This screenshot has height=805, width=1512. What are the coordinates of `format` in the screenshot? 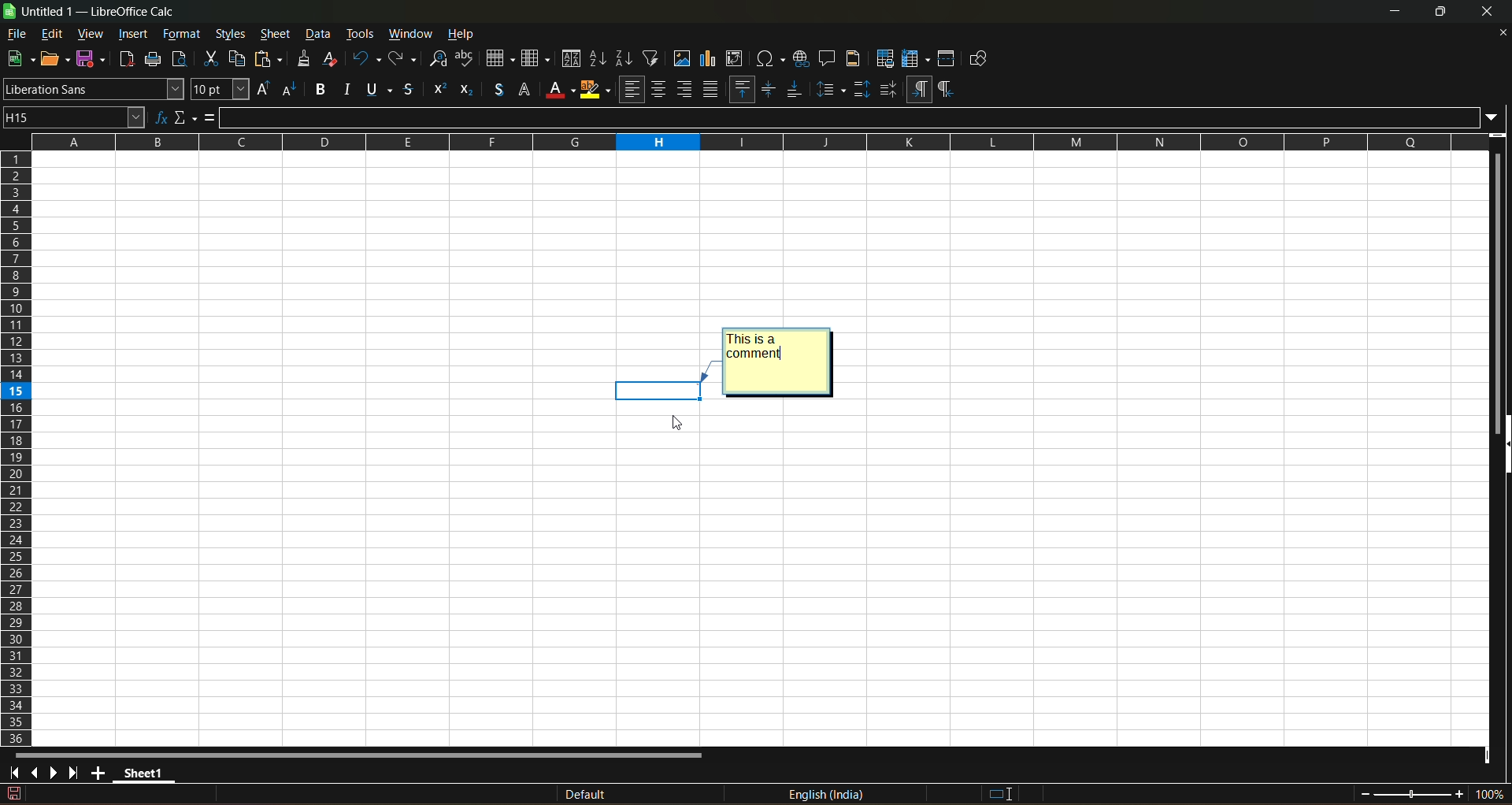 It's located at (184, 35).